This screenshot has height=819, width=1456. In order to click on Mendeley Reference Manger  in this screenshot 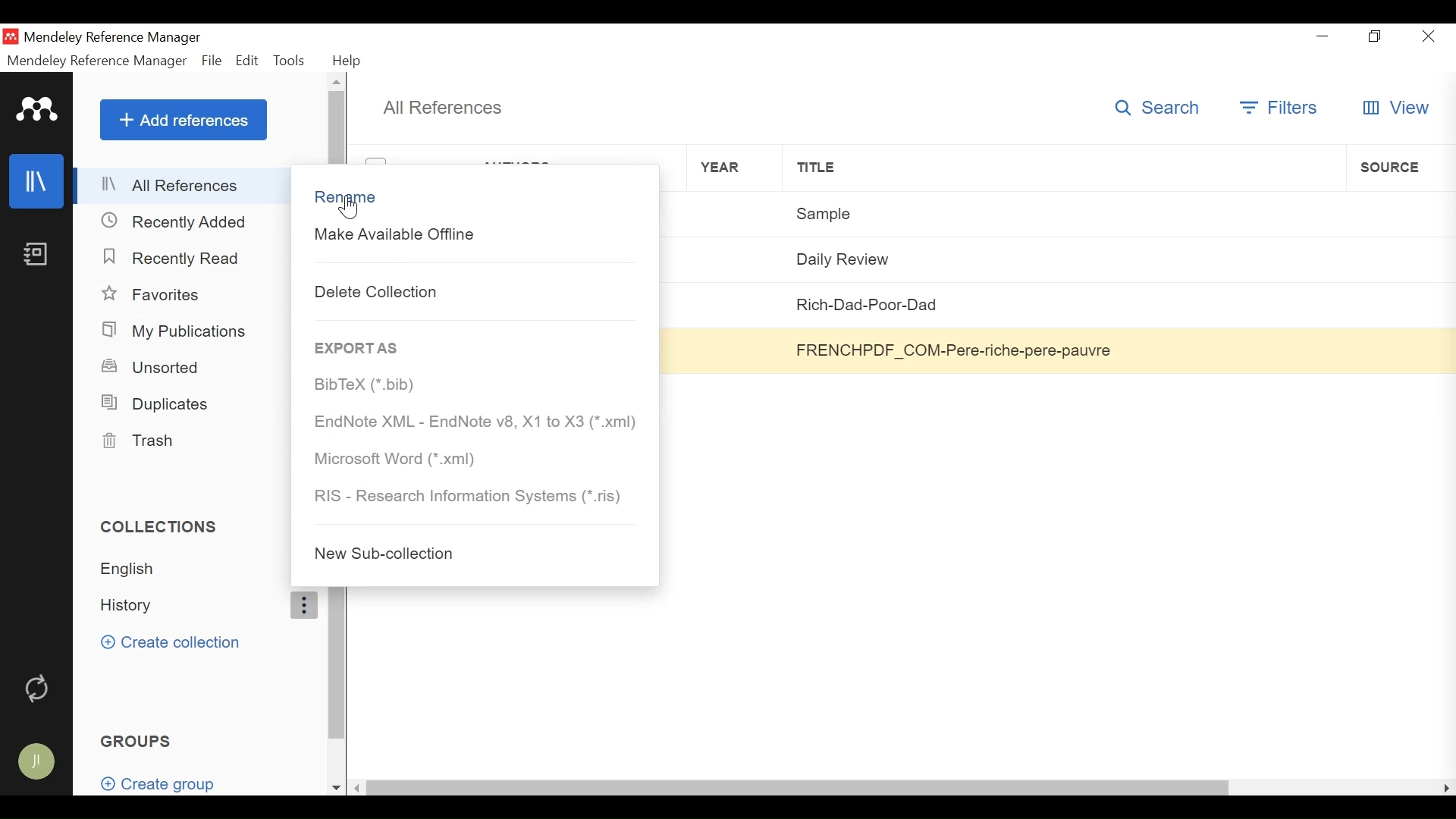, I will do `click(97, 61)`.